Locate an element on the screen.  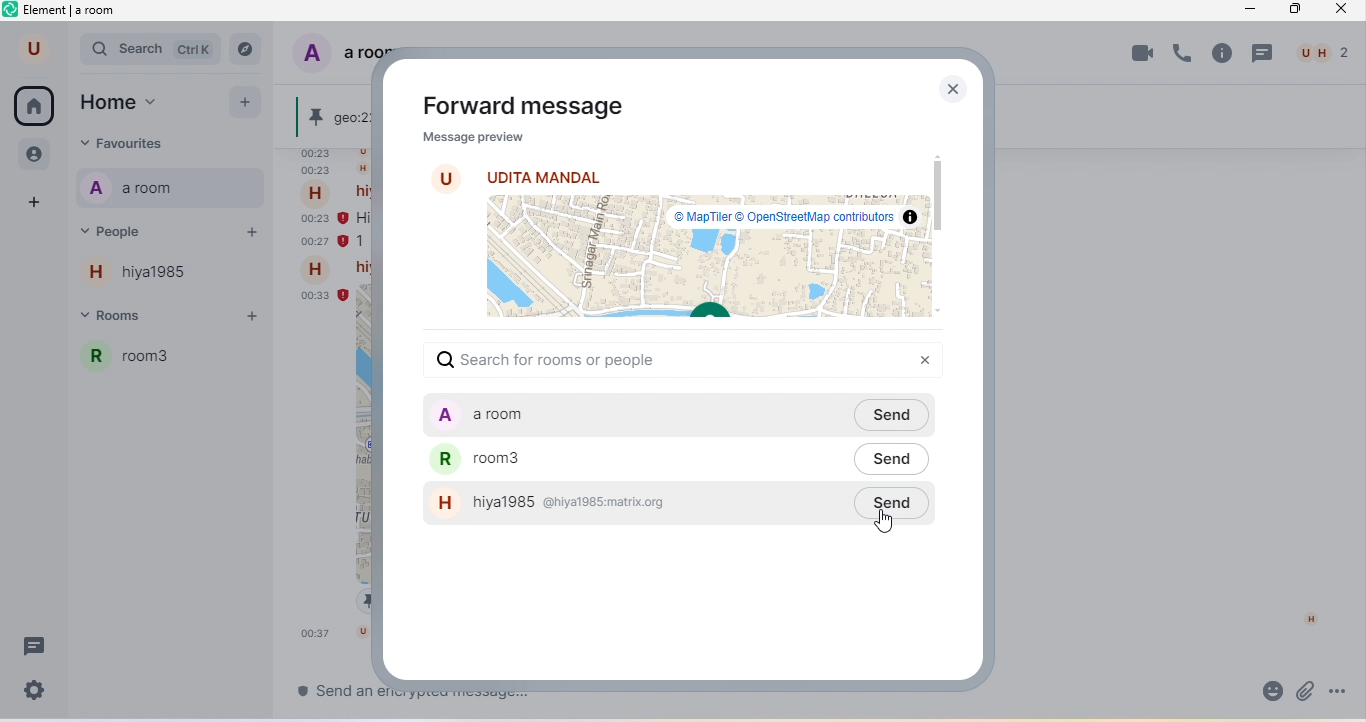
u is located at coordinates (29, 50).